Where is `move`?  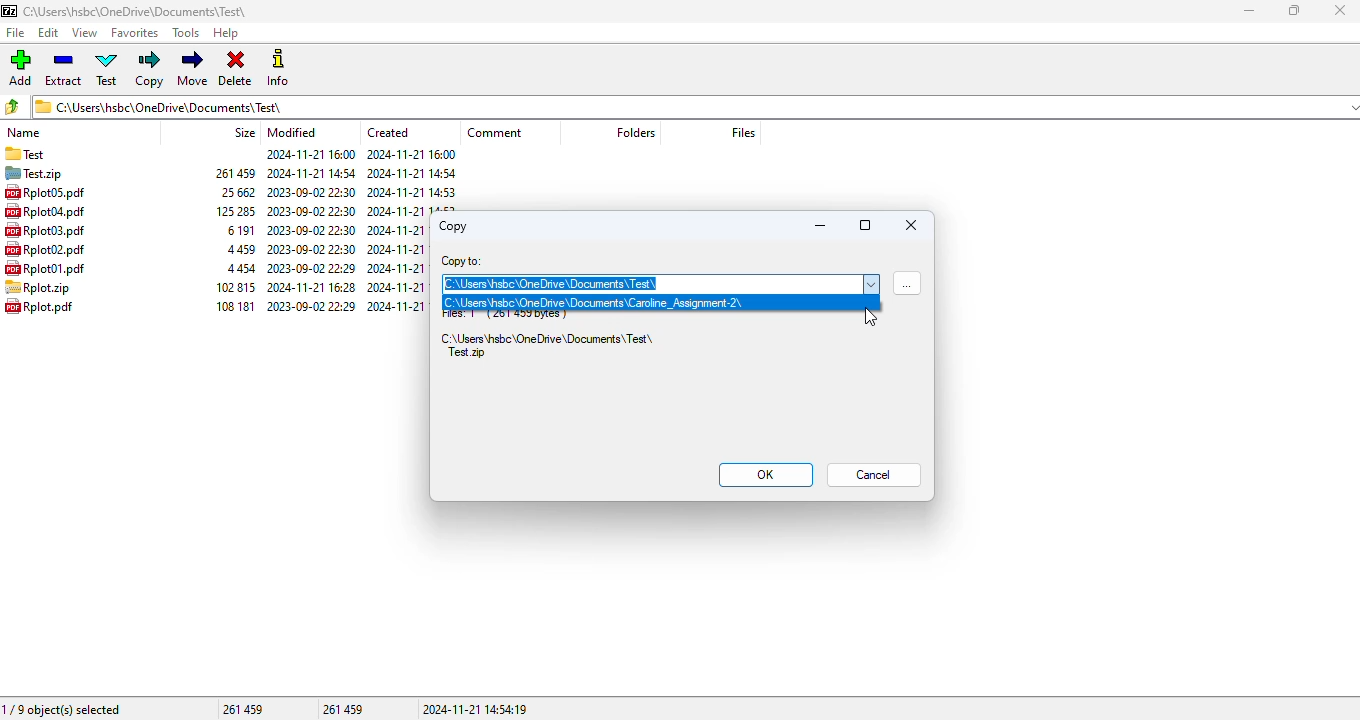 move is located at coordinates (194, 69).